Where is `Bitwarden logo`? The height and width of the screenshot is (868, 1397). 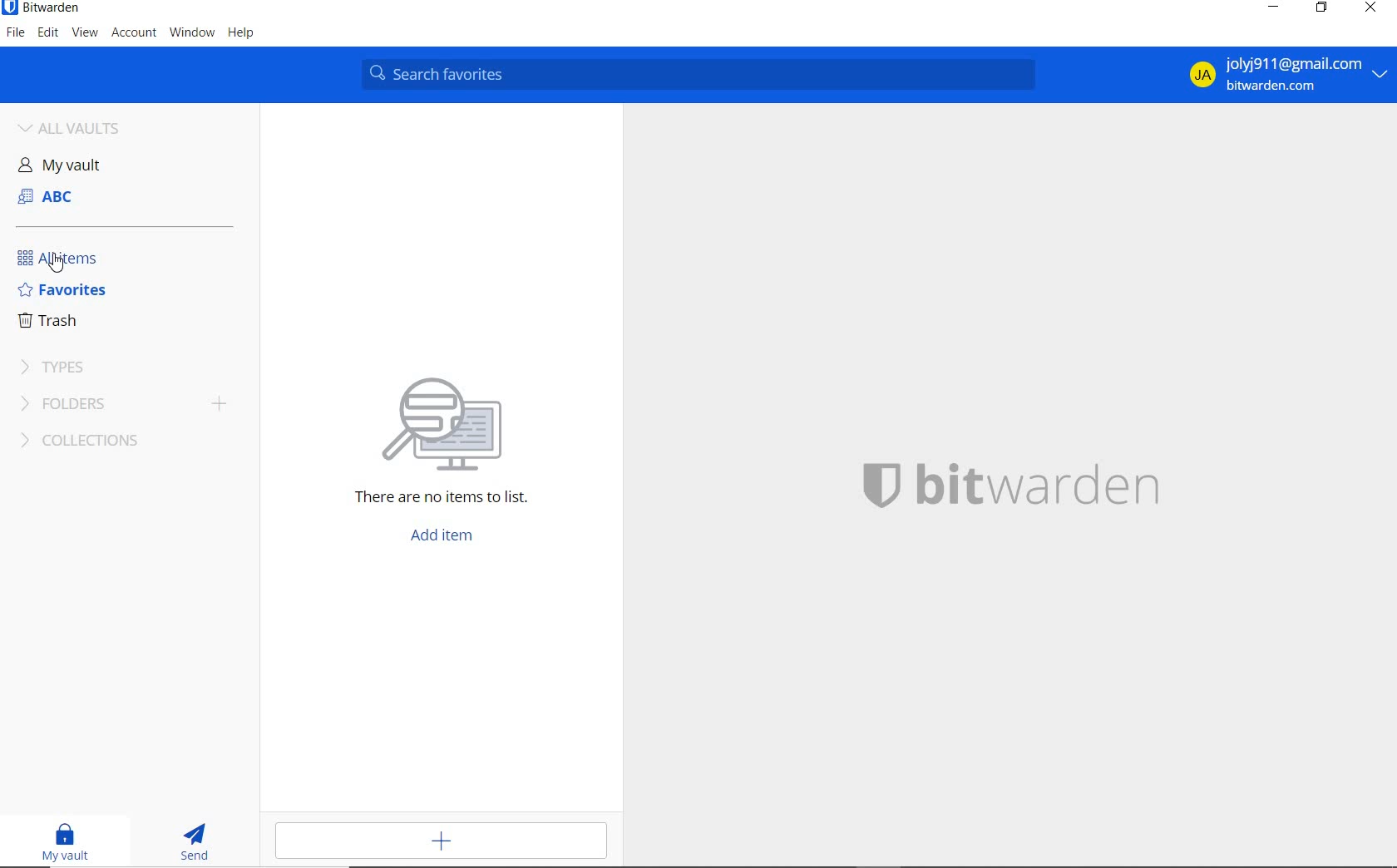
Bitwarden logo is located at coordinates (879, 483).